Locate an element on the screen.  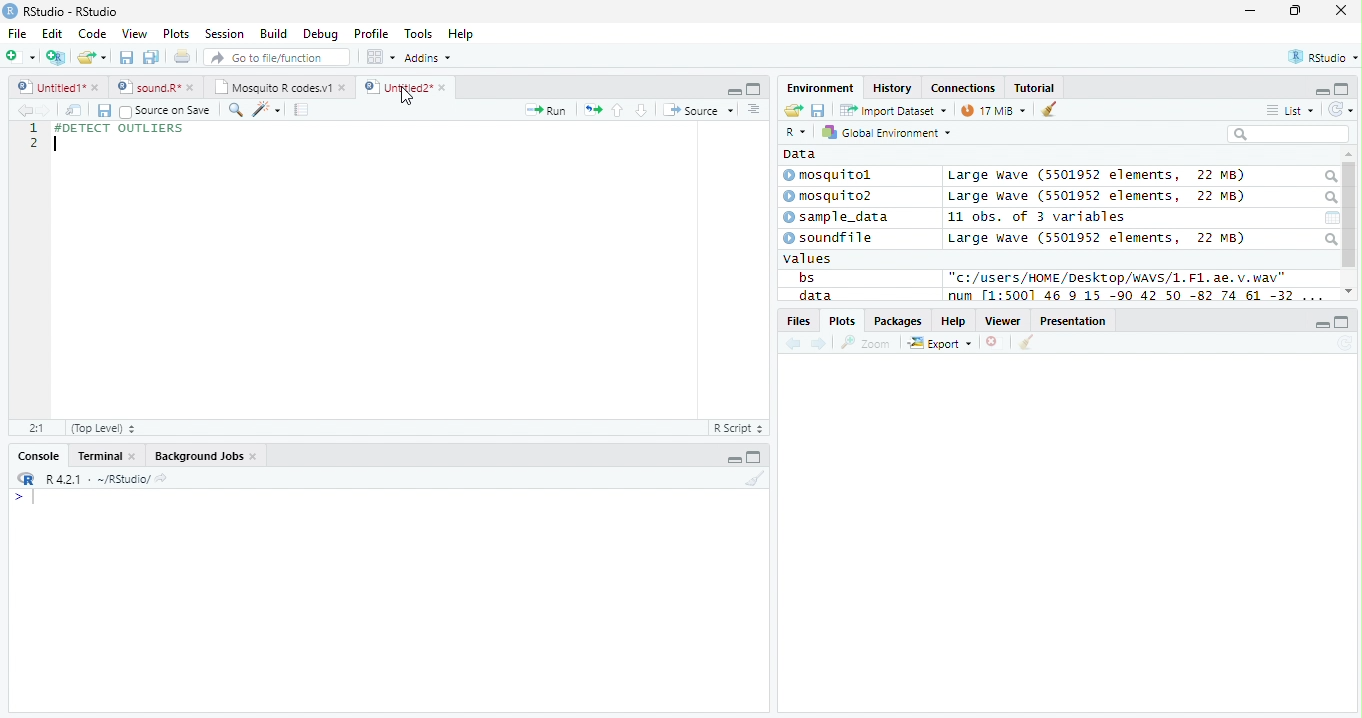
Code is located at coordinates (92, 34).